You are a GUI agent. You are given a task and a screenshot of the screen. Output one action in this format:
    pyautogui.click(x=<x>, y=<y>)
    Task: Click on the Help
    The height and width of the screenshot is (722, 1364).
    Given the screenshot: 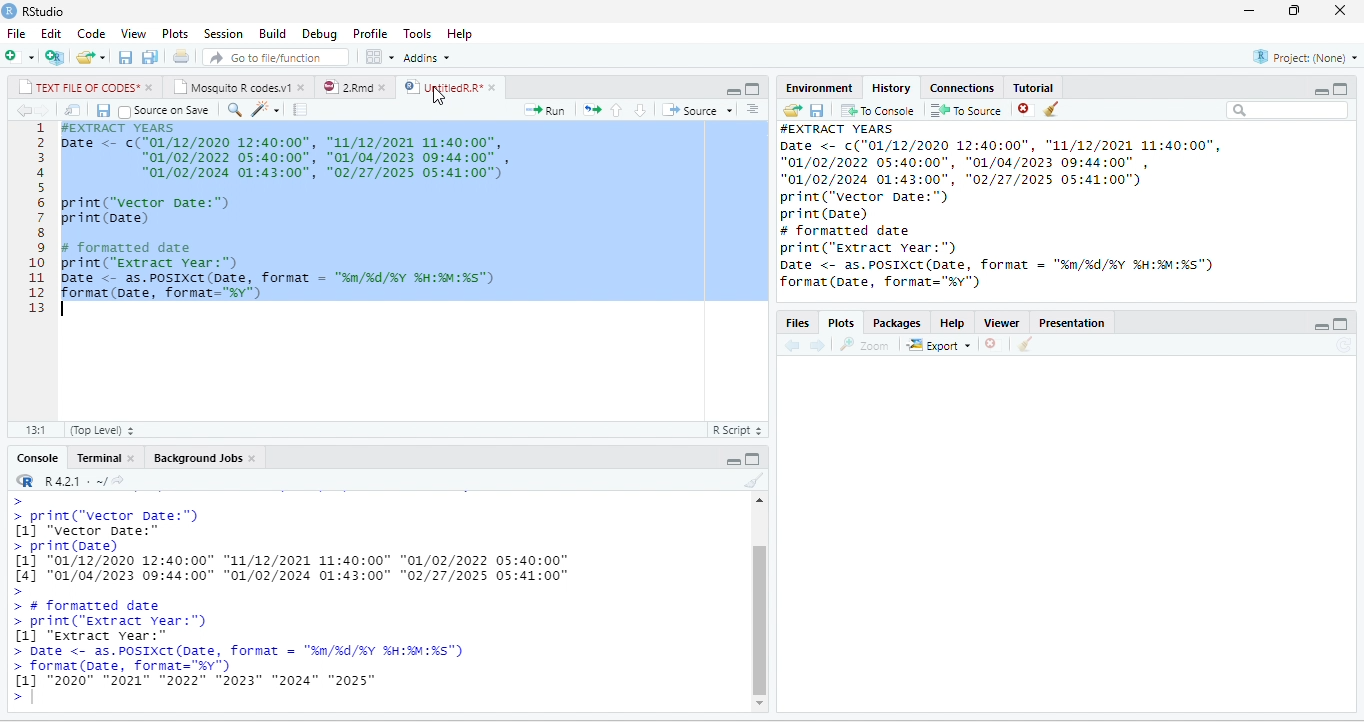 What is the action you would take?
    pyautogui.click(x=953, y=323)
    